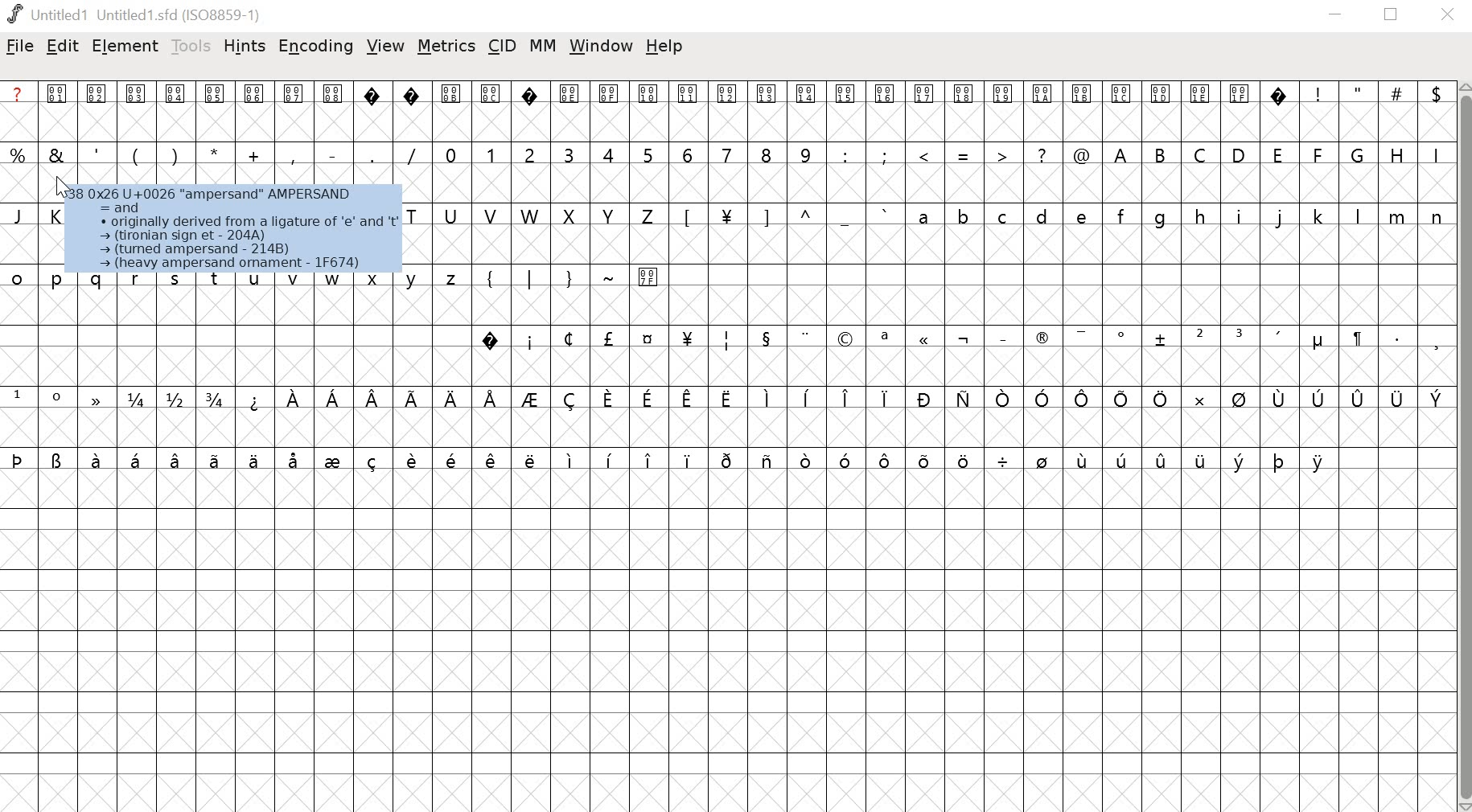 This screenshot has width=1472, height=812. Describe the element at coordinates (925, 398) in the screenshot. I see `symbol` at that location.